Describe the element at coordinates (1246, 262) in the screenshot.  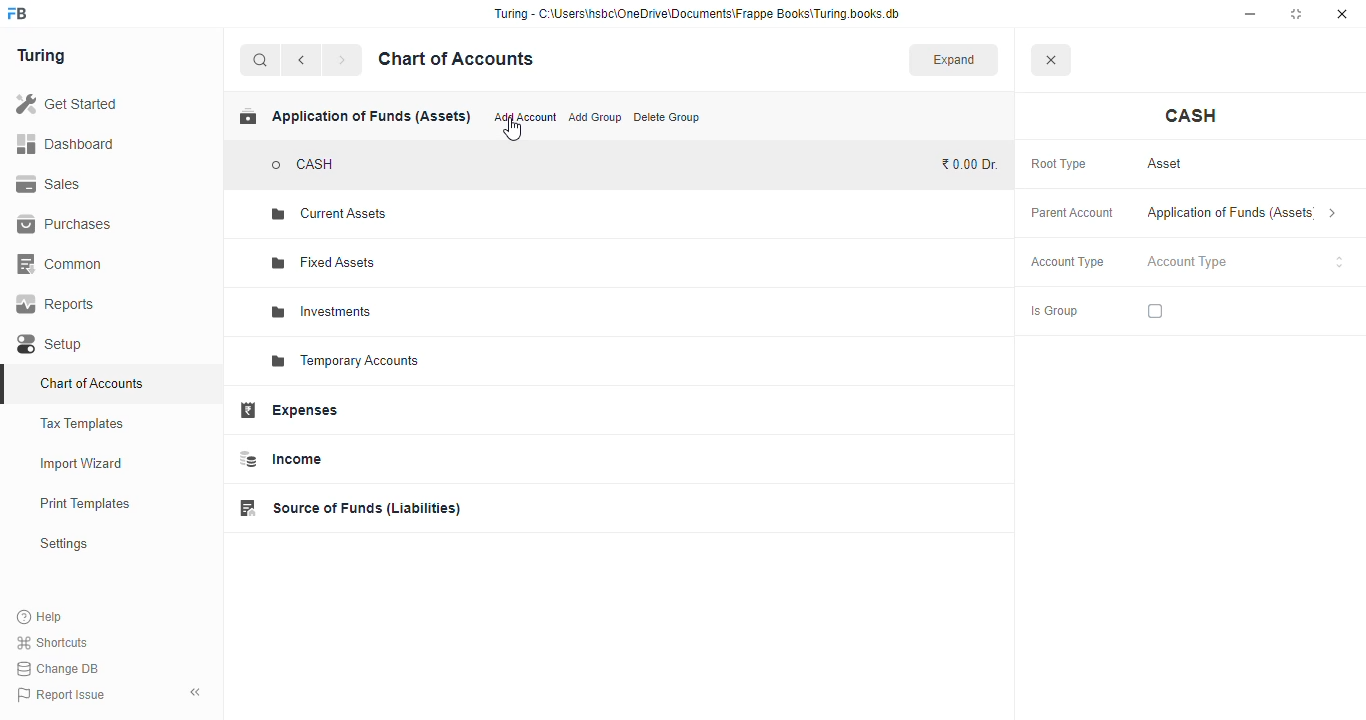
I see `account type` at that location.